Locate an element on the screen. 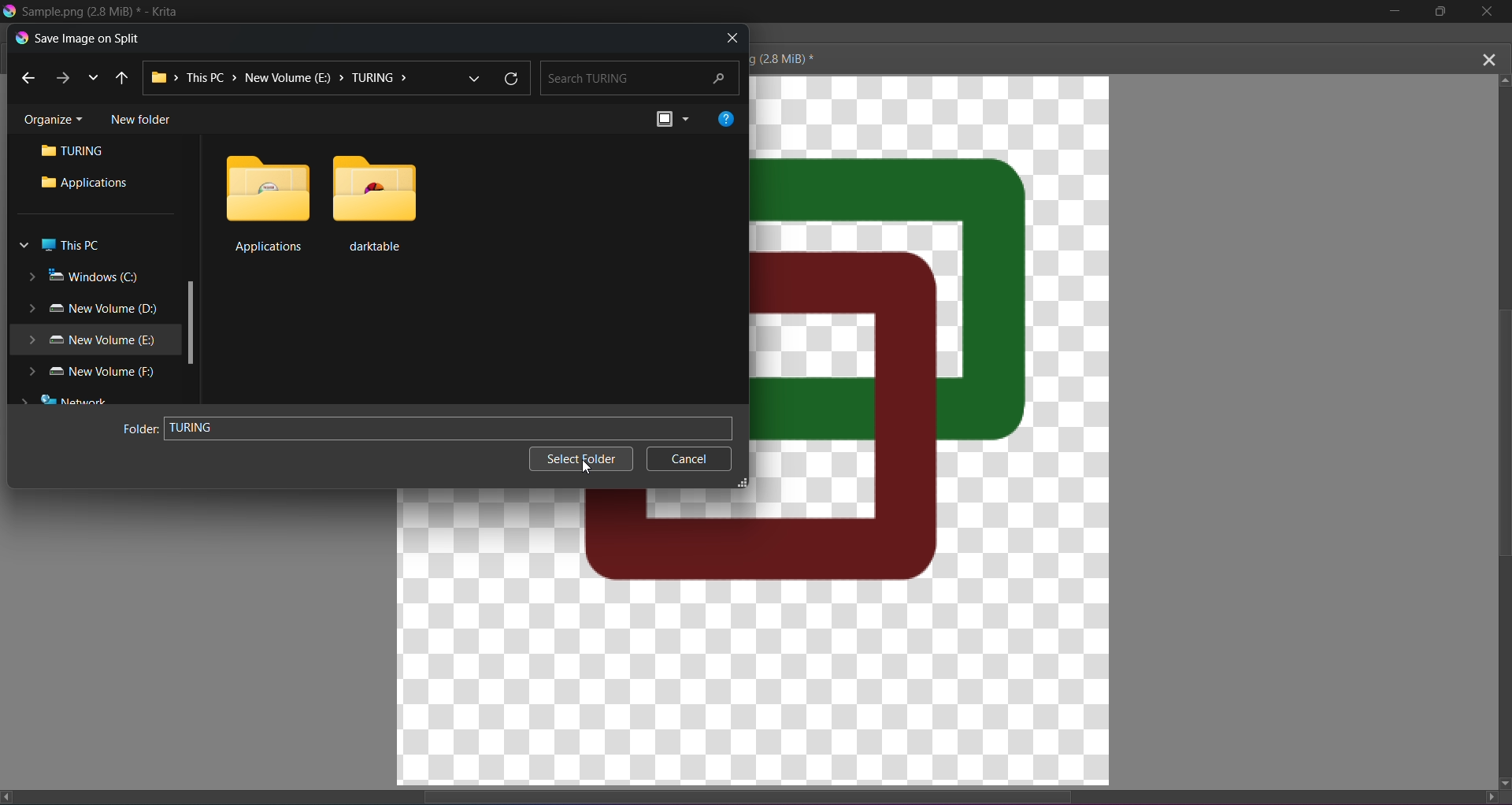  Help is located at coordinates (728, 116).